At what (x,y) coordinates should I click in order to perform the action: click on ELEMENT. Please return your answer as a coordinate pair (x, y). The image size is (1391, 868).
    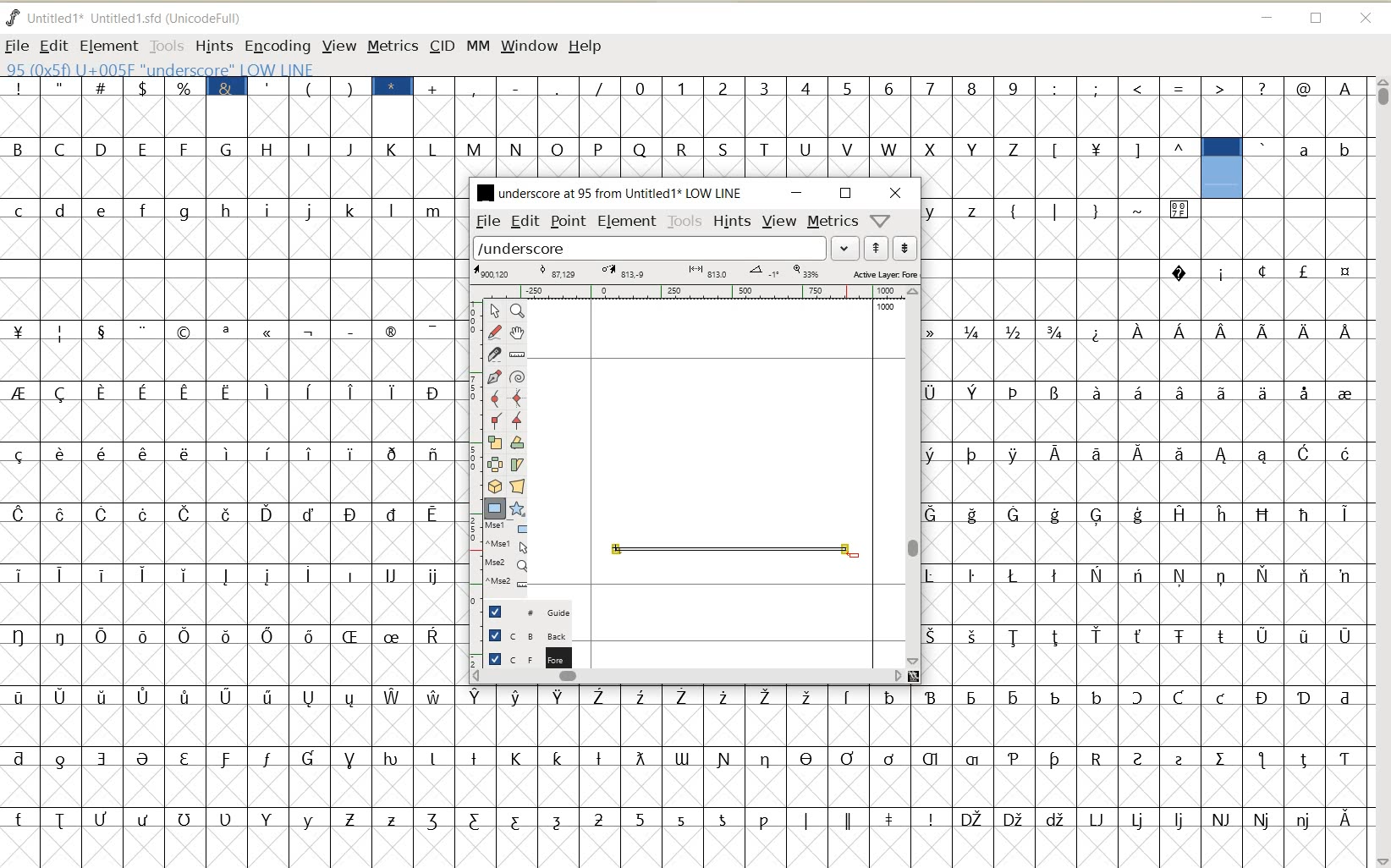
    Looking at the image, I should click on (108, 47).